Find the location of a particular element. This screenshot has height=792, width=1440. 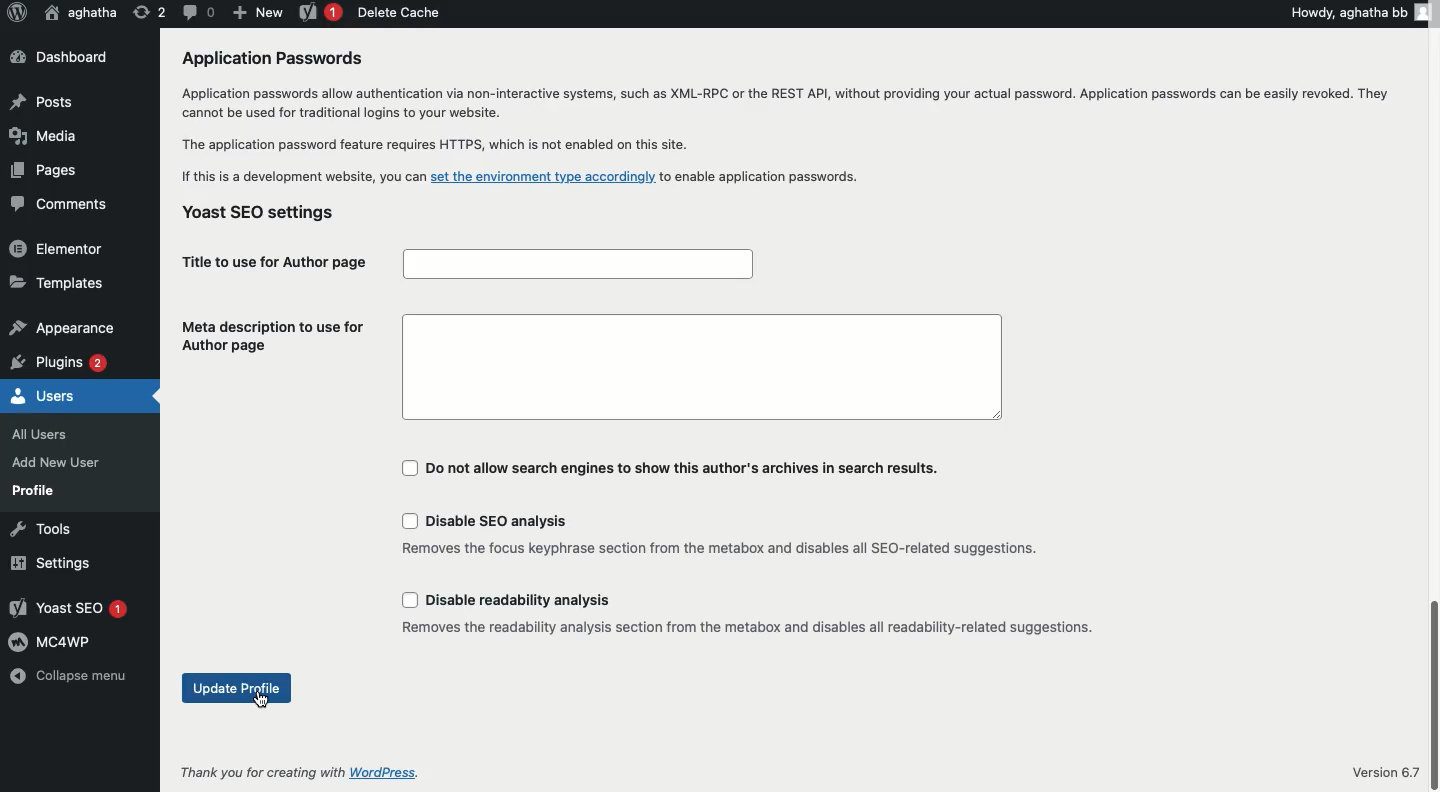

Collapse menu is located at coordinates (68, 678).